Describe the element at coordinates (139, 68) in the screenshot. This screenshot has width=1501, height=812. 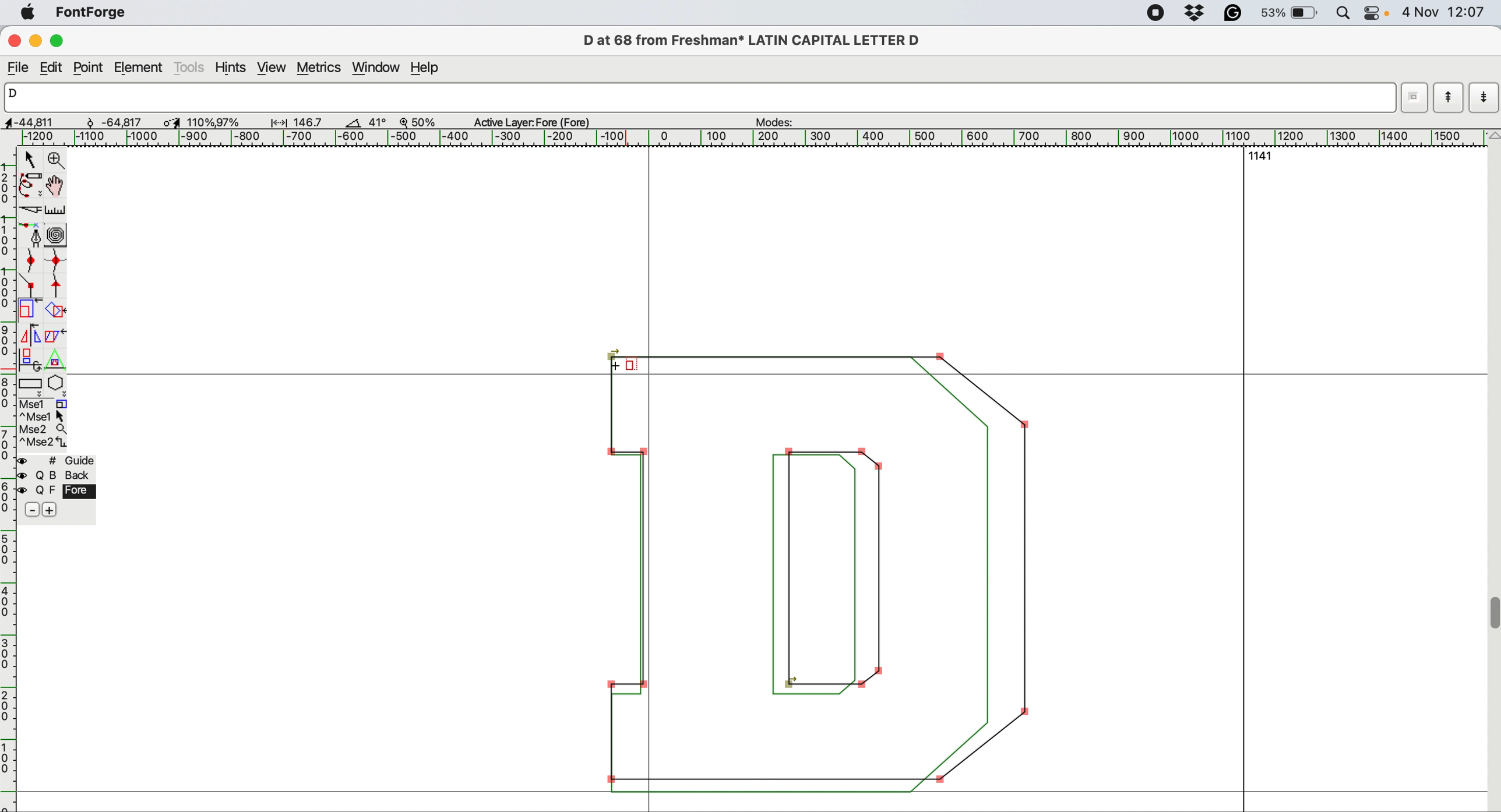
I see `element` at that location.